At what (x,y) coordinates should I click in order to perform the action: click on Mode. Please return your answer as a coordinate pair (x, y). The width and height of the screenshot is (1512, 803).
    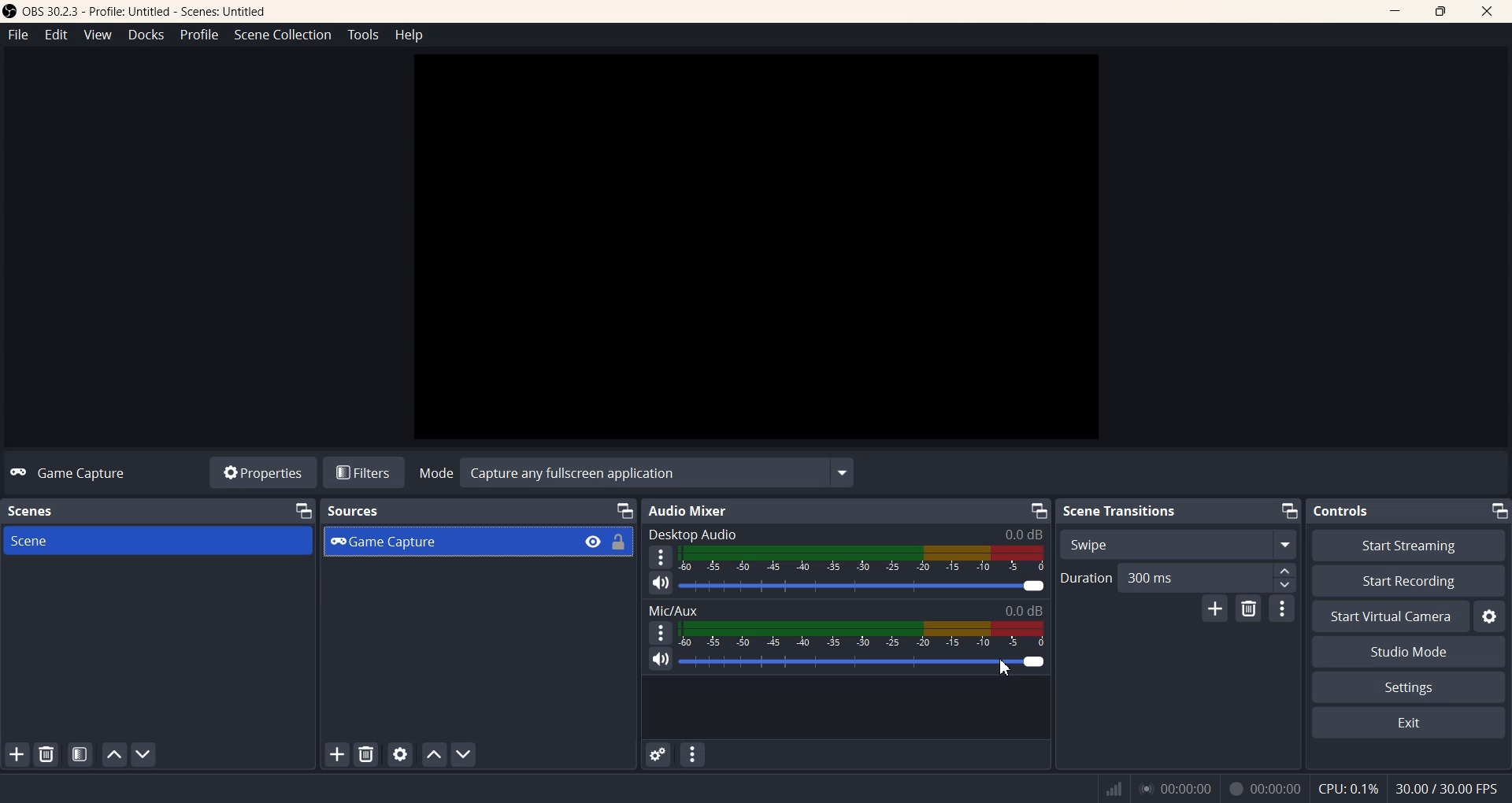
    Looking at the image, I should click on (434, 475).